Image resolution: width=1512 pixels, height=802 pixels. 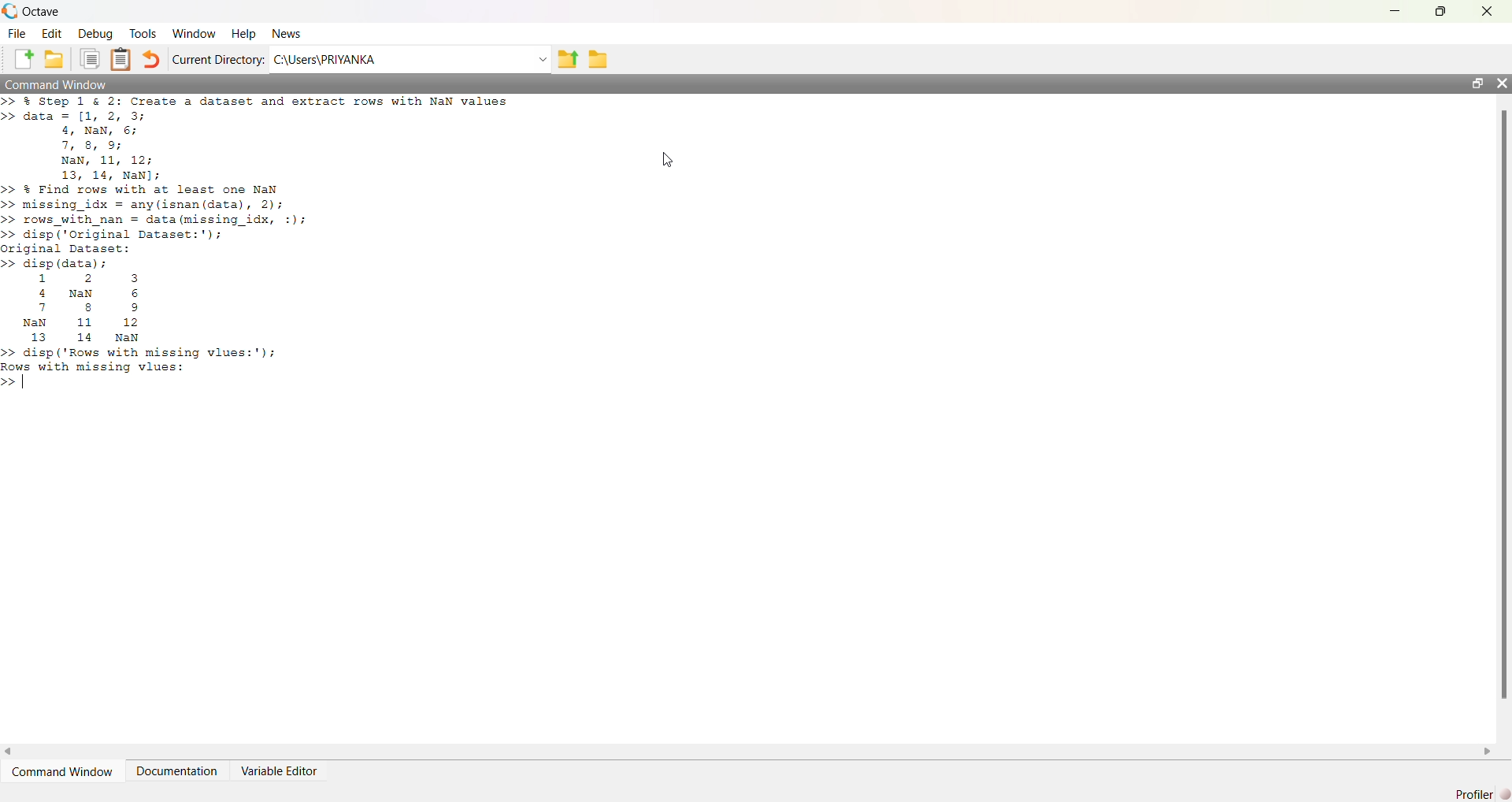 What do you see at coordinates (541, 60) in the screenshot?
I see `dropdown` at bounding box center [541, 60].